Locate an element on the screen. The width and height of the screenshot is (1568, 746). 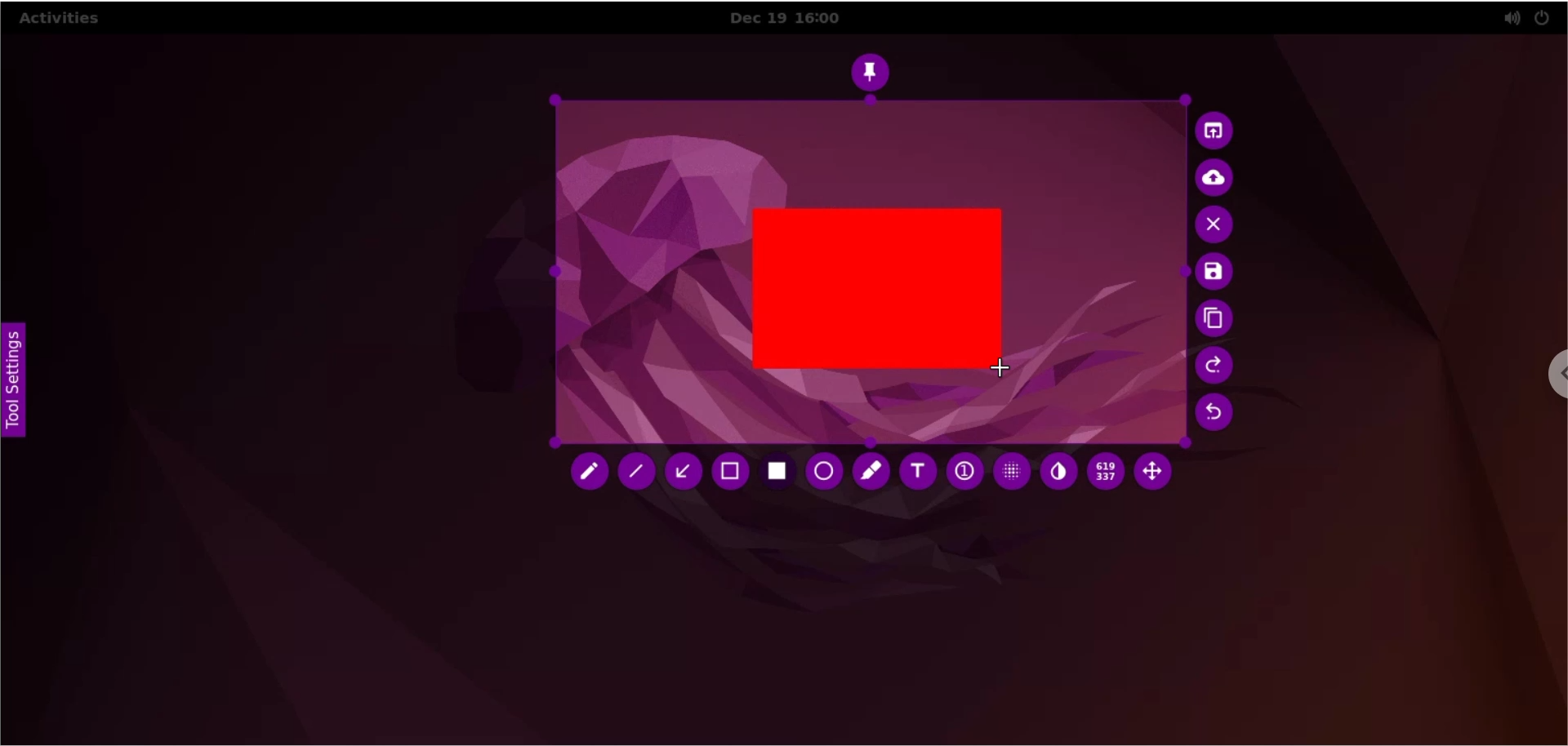
rectangle tool is located at coordinates (777, 473).